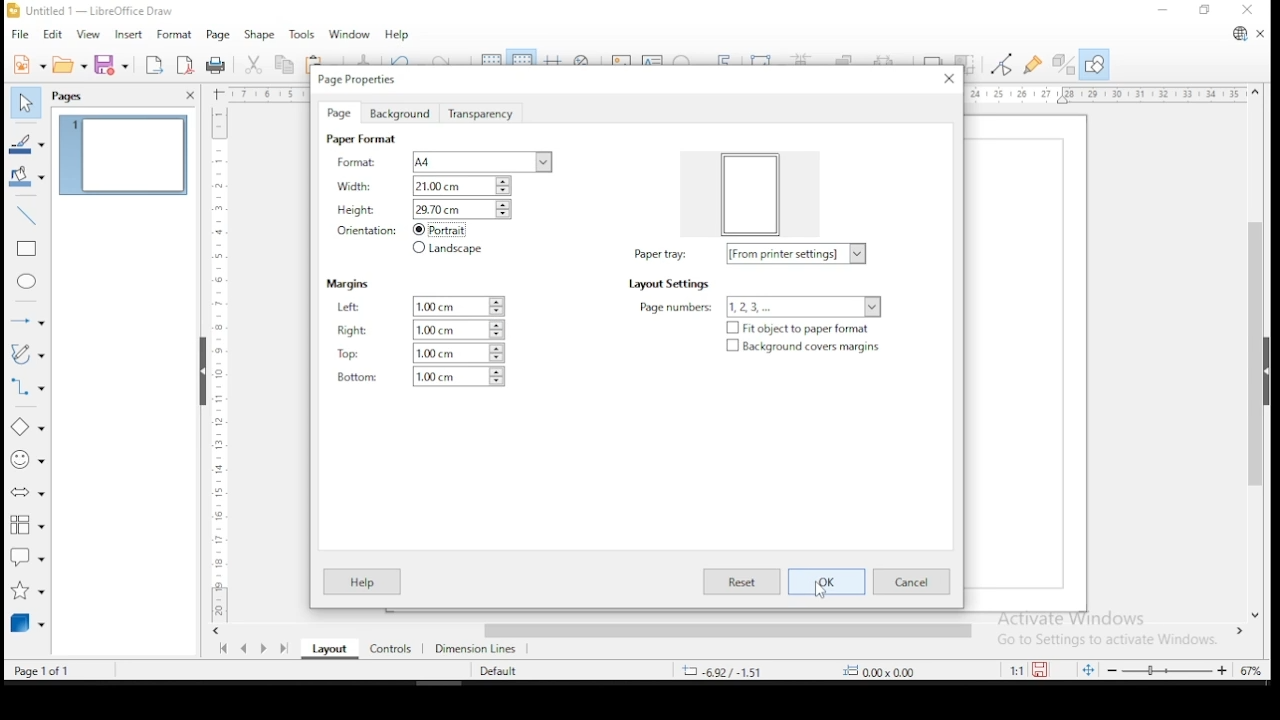  Describe the element at coordinates (153, 65) in the screenshot. I see `export` at that location.